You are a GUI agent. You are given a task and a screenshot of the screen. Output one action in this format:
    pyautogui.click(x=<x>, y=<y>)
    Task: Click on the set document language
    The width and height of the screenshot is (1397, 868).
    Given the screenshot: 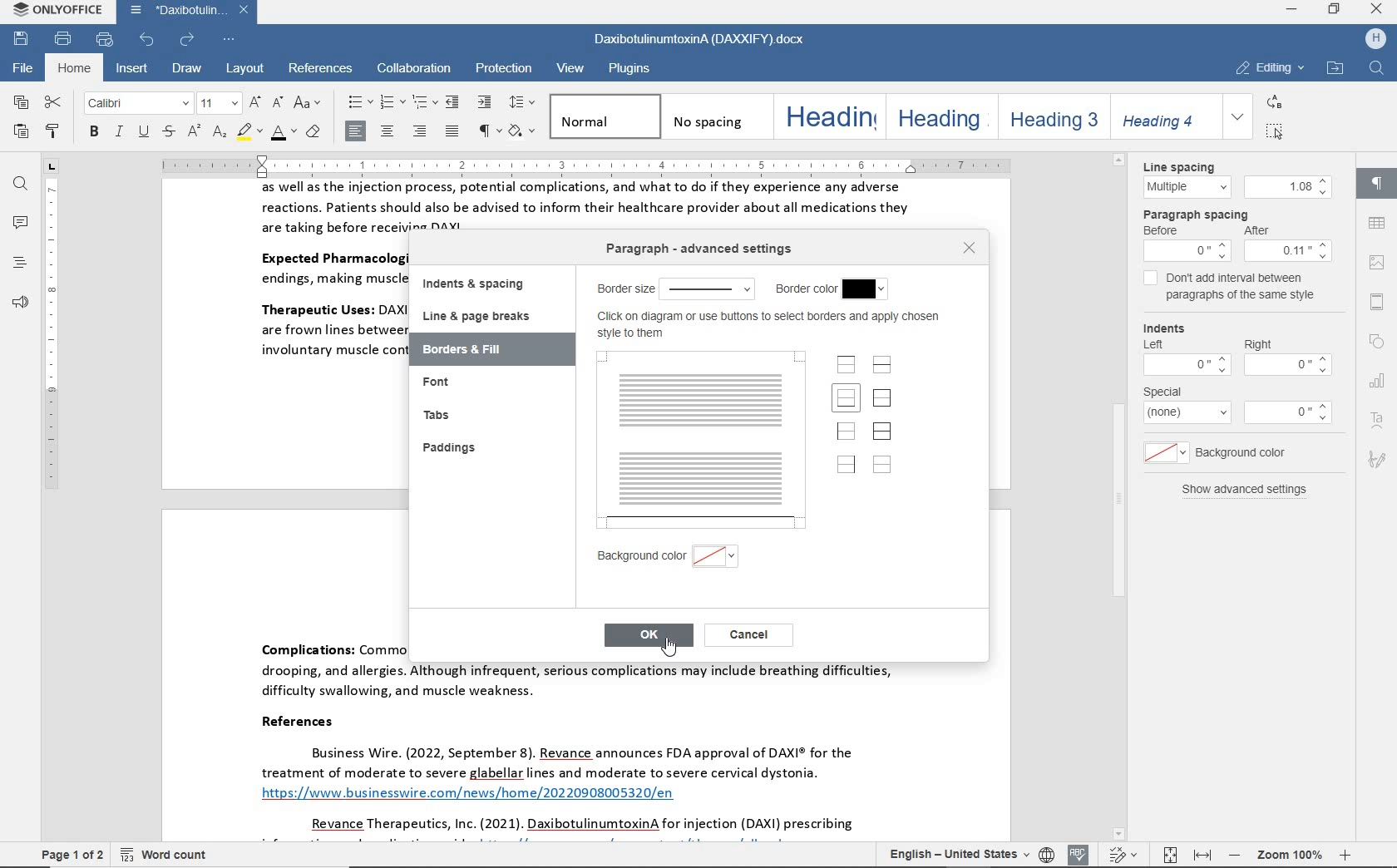 What is the action you would take?
    pyautogui.click(x=1048, y=854)
    